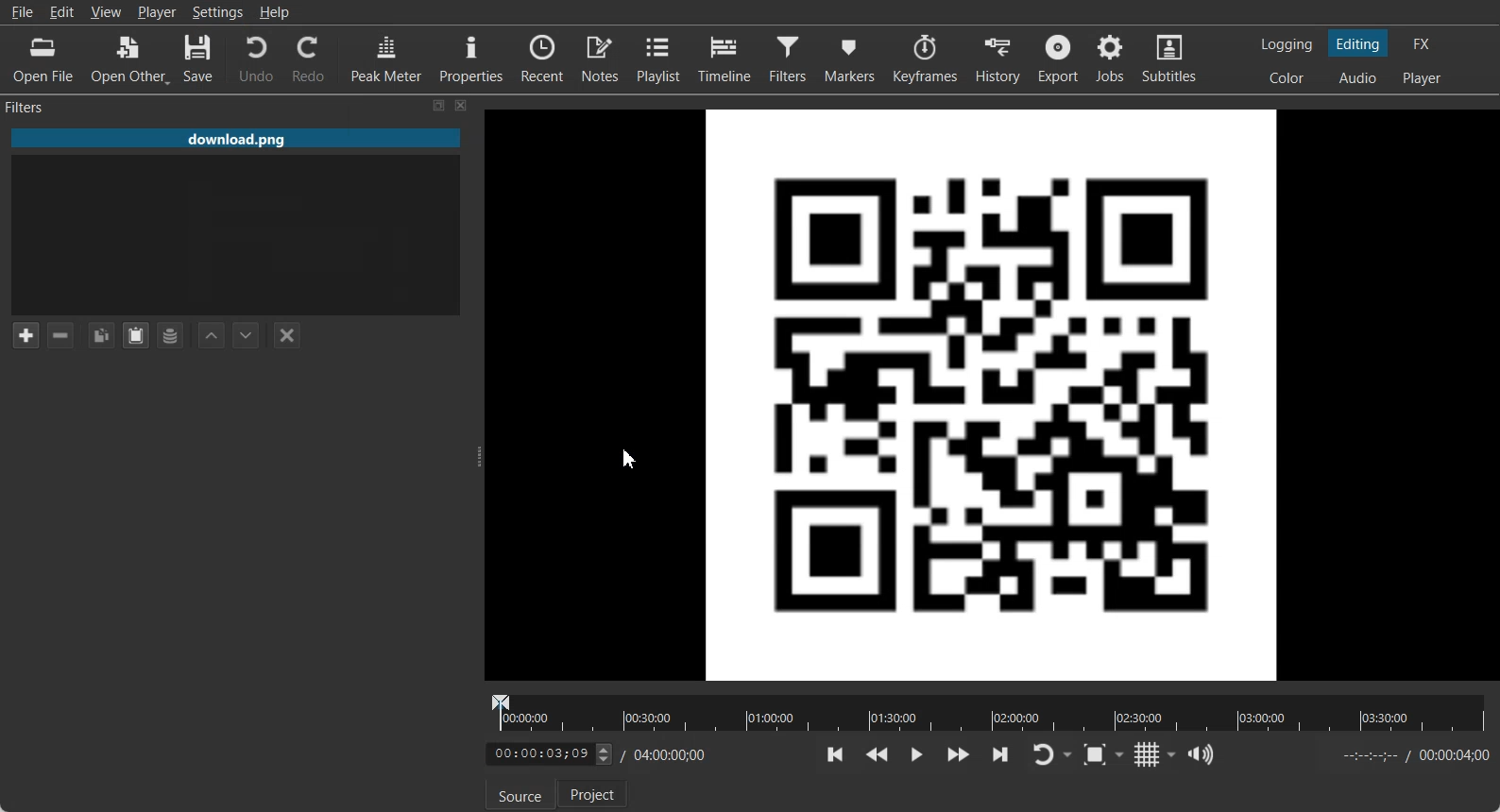  I want to click on File name, so click(236, 134).